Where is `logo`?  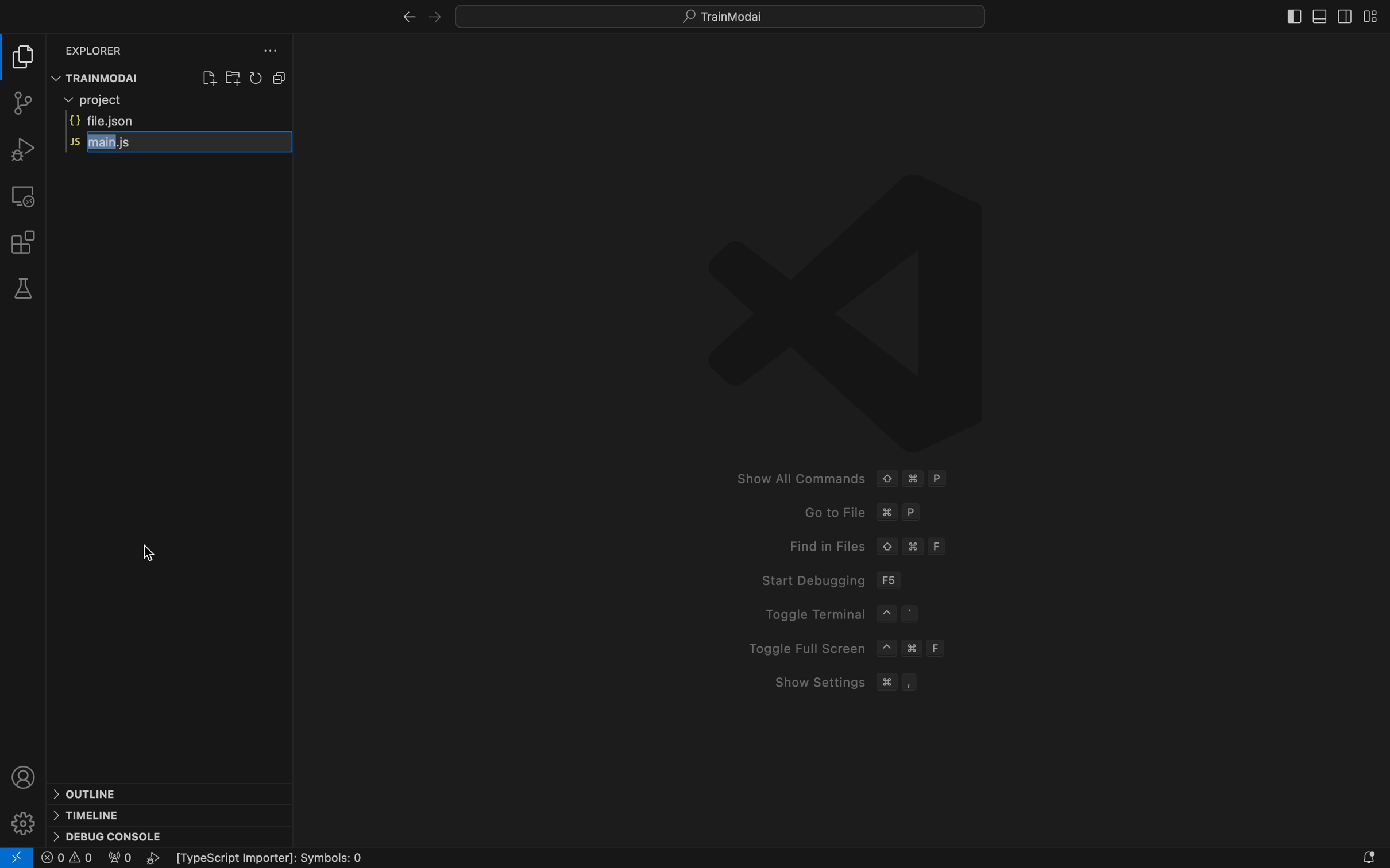
logo is located at coordinates (848, 307).